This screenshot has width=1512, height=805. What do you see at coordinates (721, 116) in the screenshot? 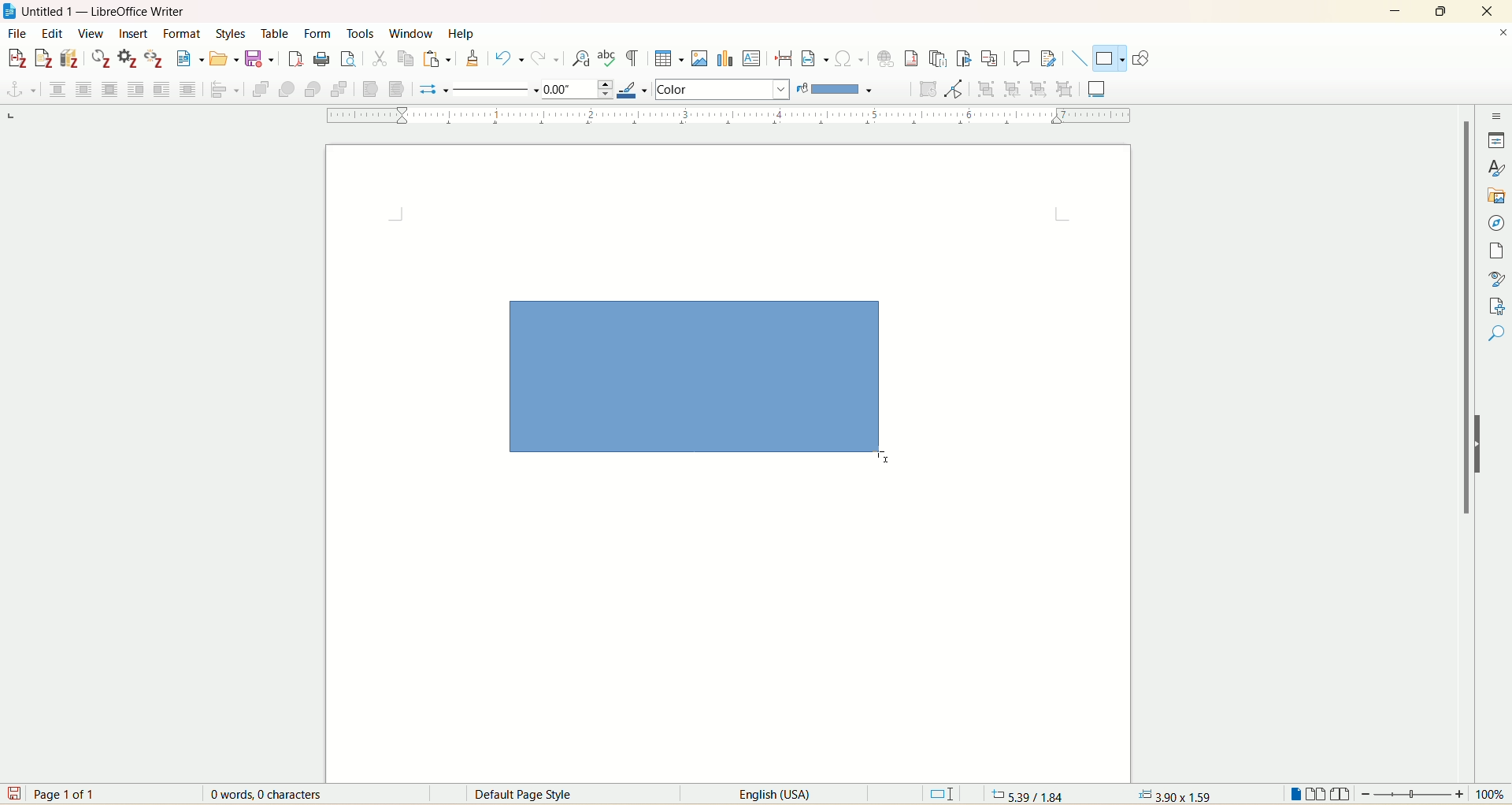
I see `ruler` at bounding box center [721, 116].